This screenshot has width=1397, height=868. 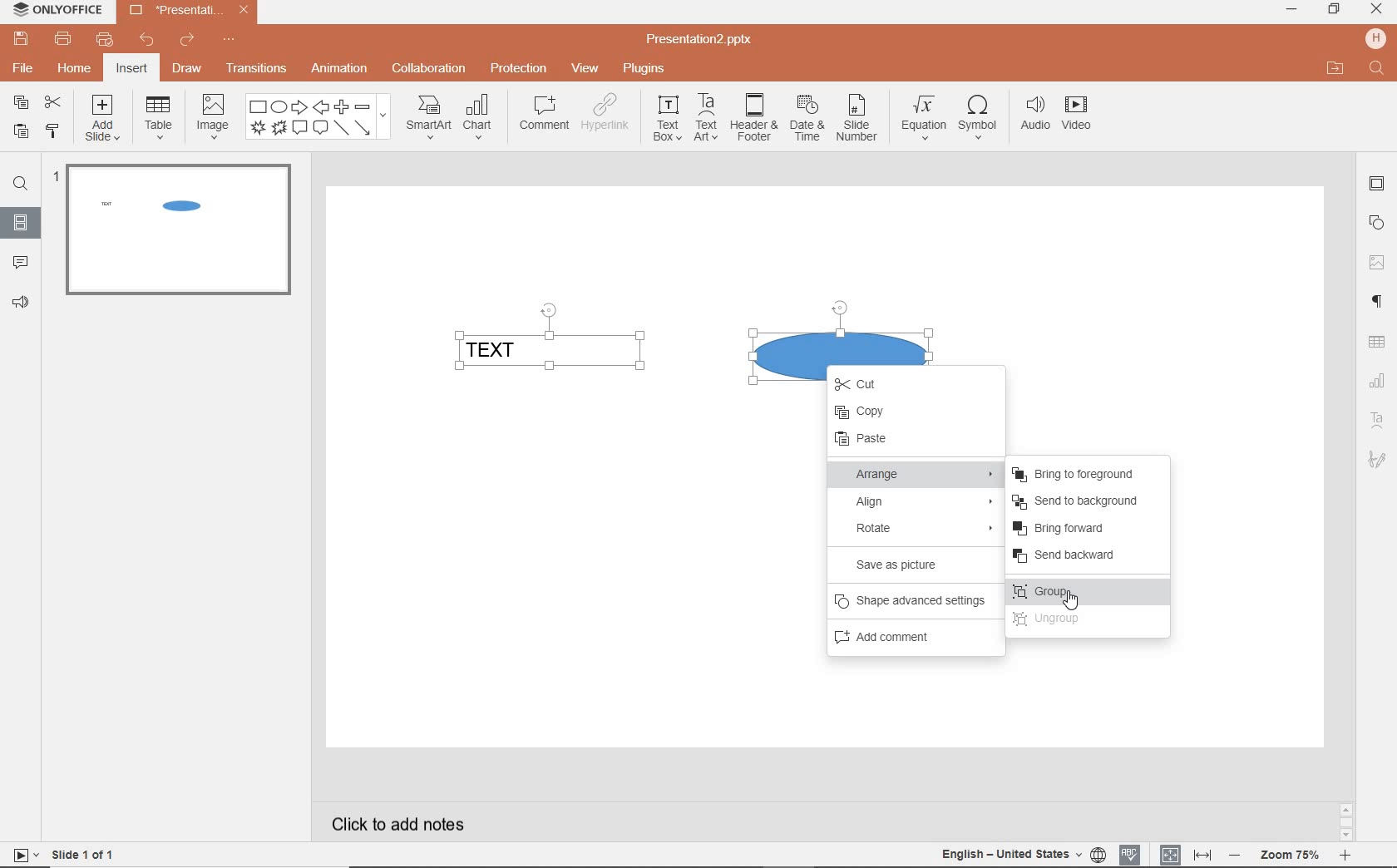 I want to click on hyperlink, so click(x=606, y=114).